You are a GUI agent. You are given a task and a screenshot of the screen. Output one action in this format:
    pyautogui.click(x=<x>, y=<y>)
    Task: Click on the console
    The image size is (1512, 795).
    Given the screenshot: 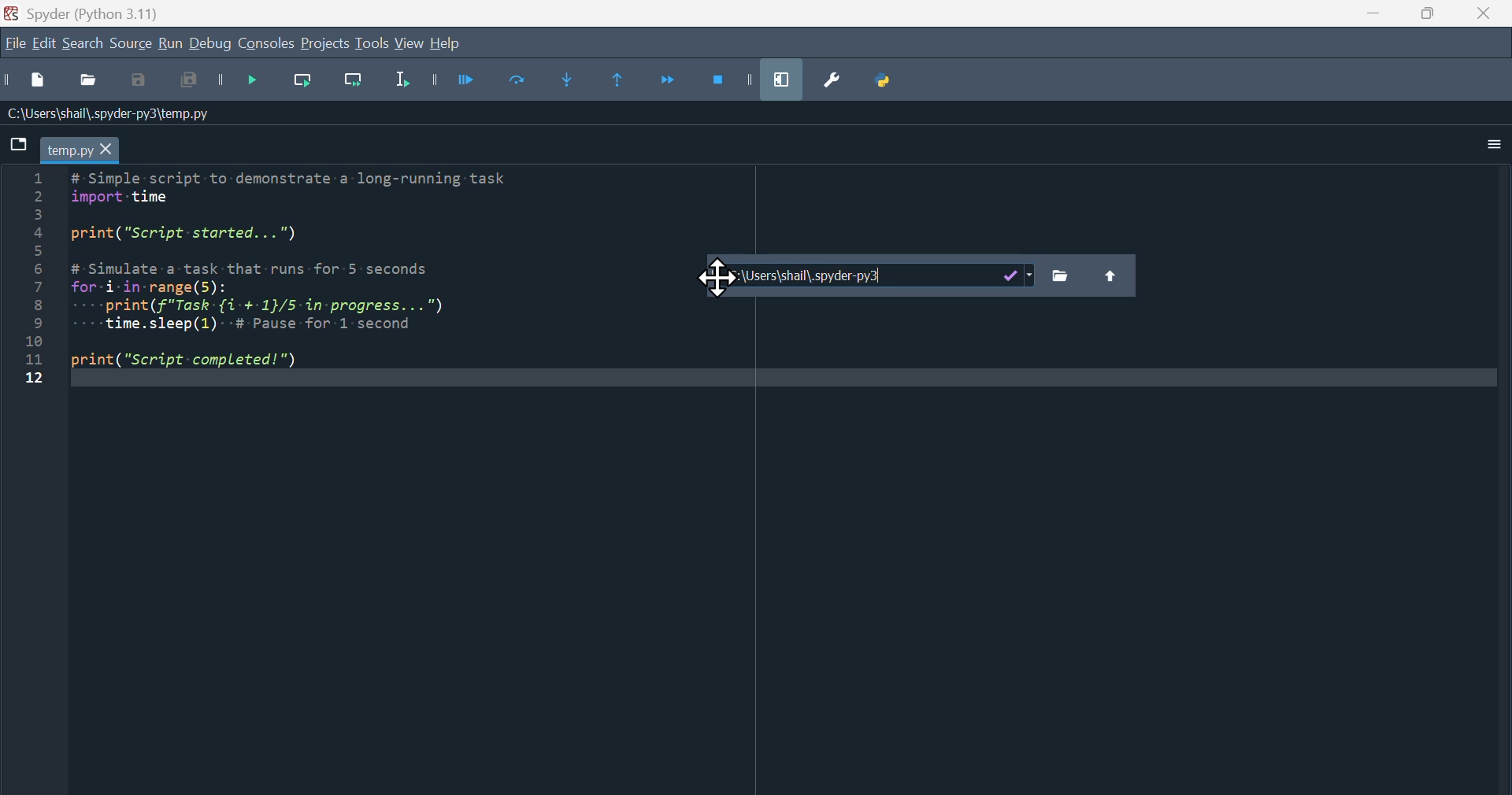 What is the action you would take?
    pyautogui.click(x=268, y=43)
    